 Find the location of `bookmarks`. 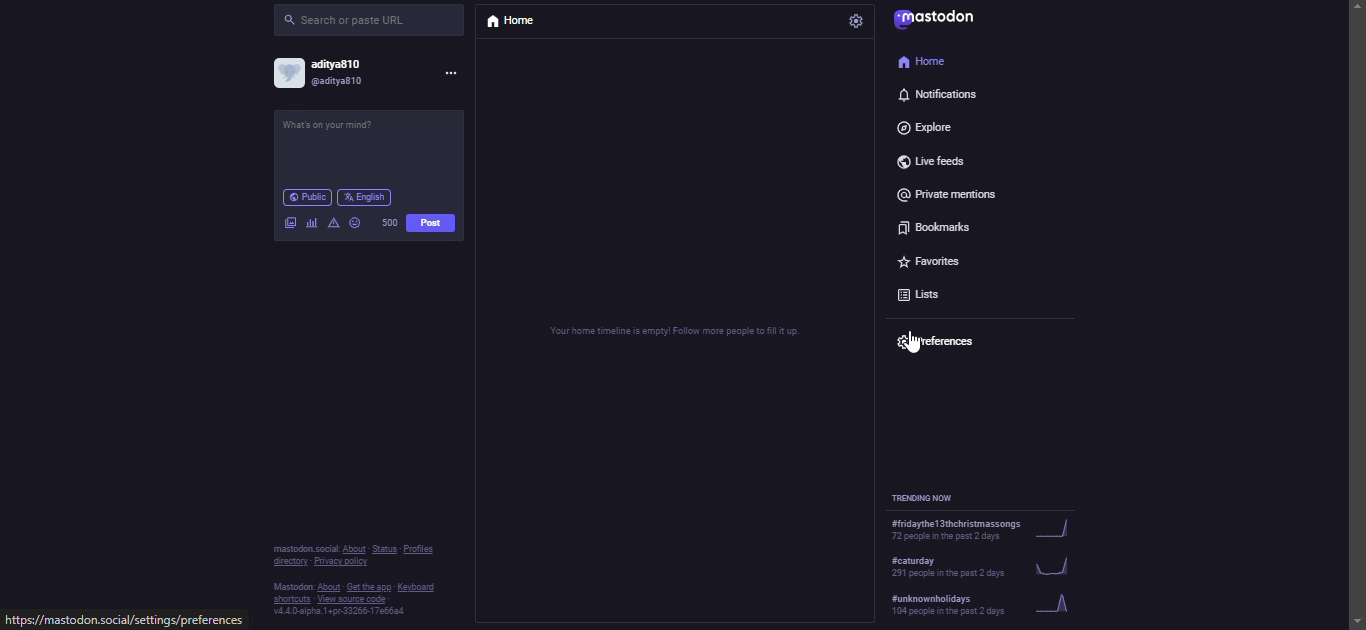

bookmarks is located at coordinates (938, 224).